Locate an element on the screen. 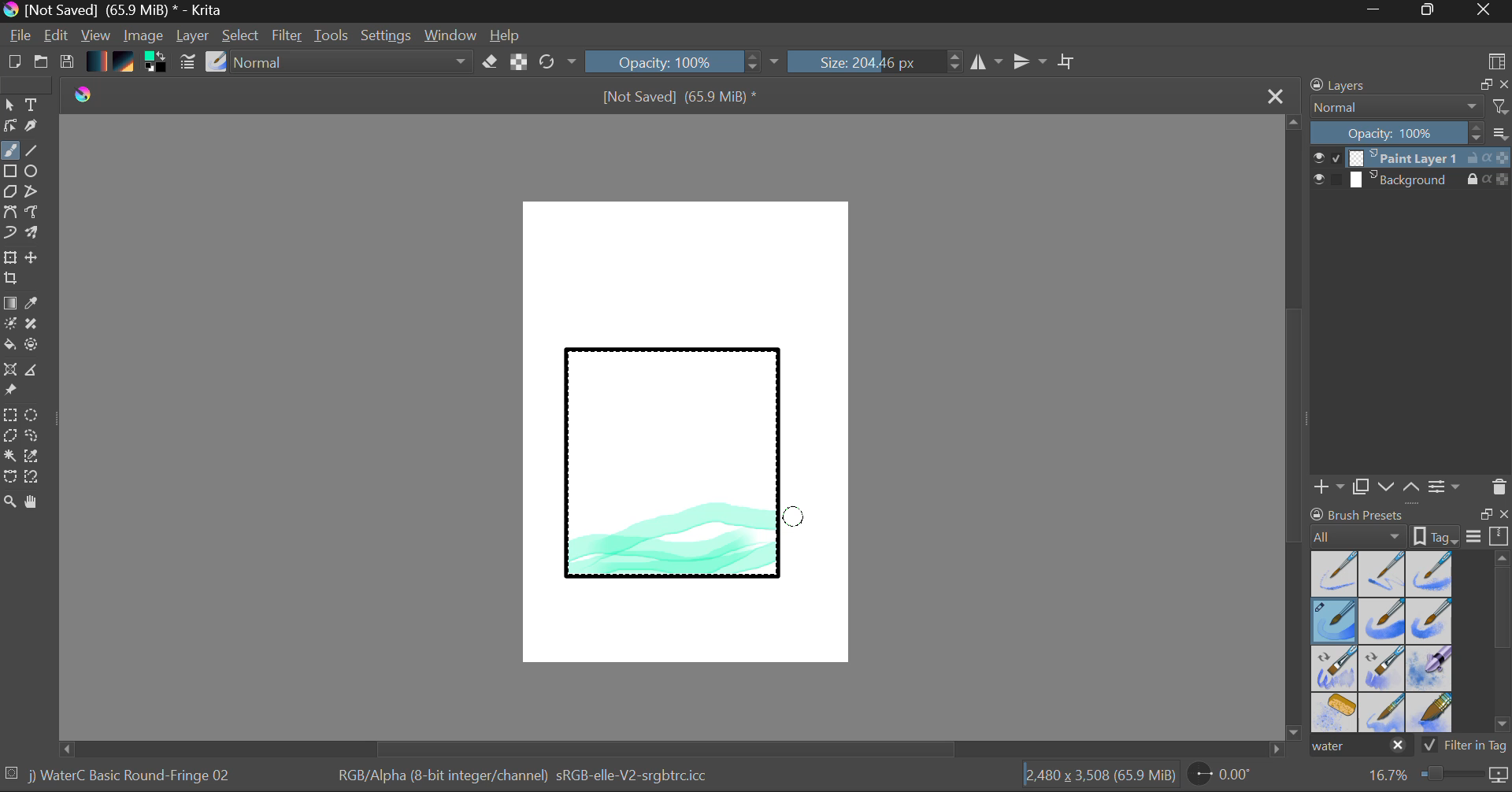 The image size is (1512, 792). Filter in Tag Option is located at coordinates (1466, 747).